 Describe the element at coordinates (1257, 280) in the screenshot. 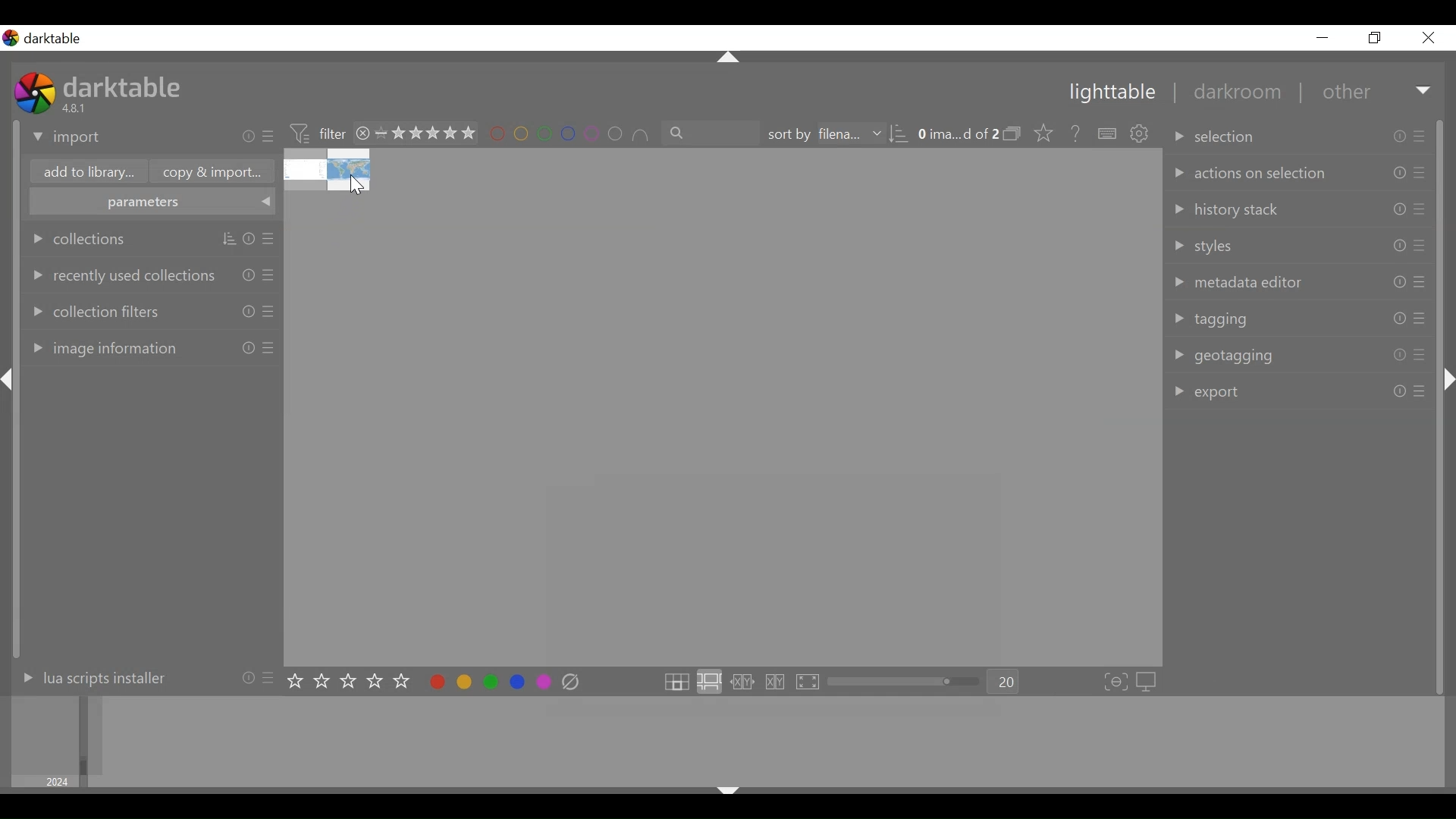

I see `metadata editor` at that location.